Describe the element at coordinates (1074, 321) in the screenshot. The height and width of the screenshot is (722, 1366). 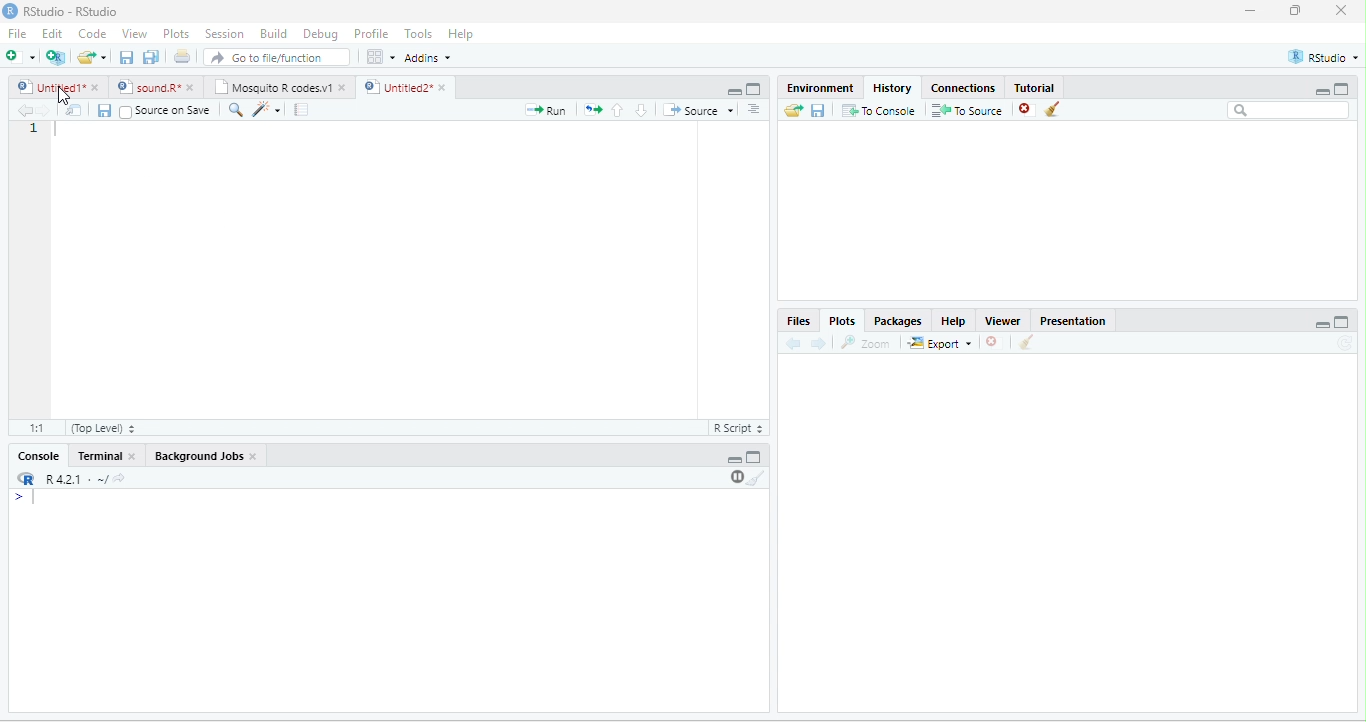
I see `Presentation` at that location.